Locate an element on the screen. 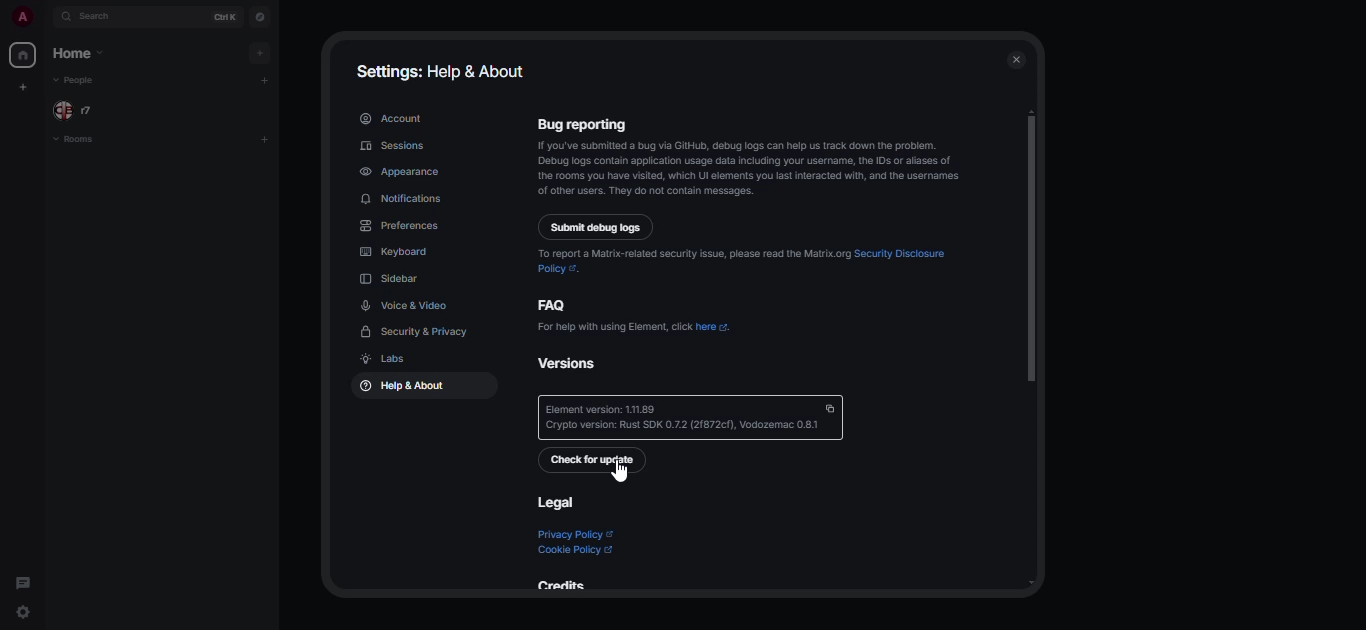  cursor is located at coordinates (621, 474).